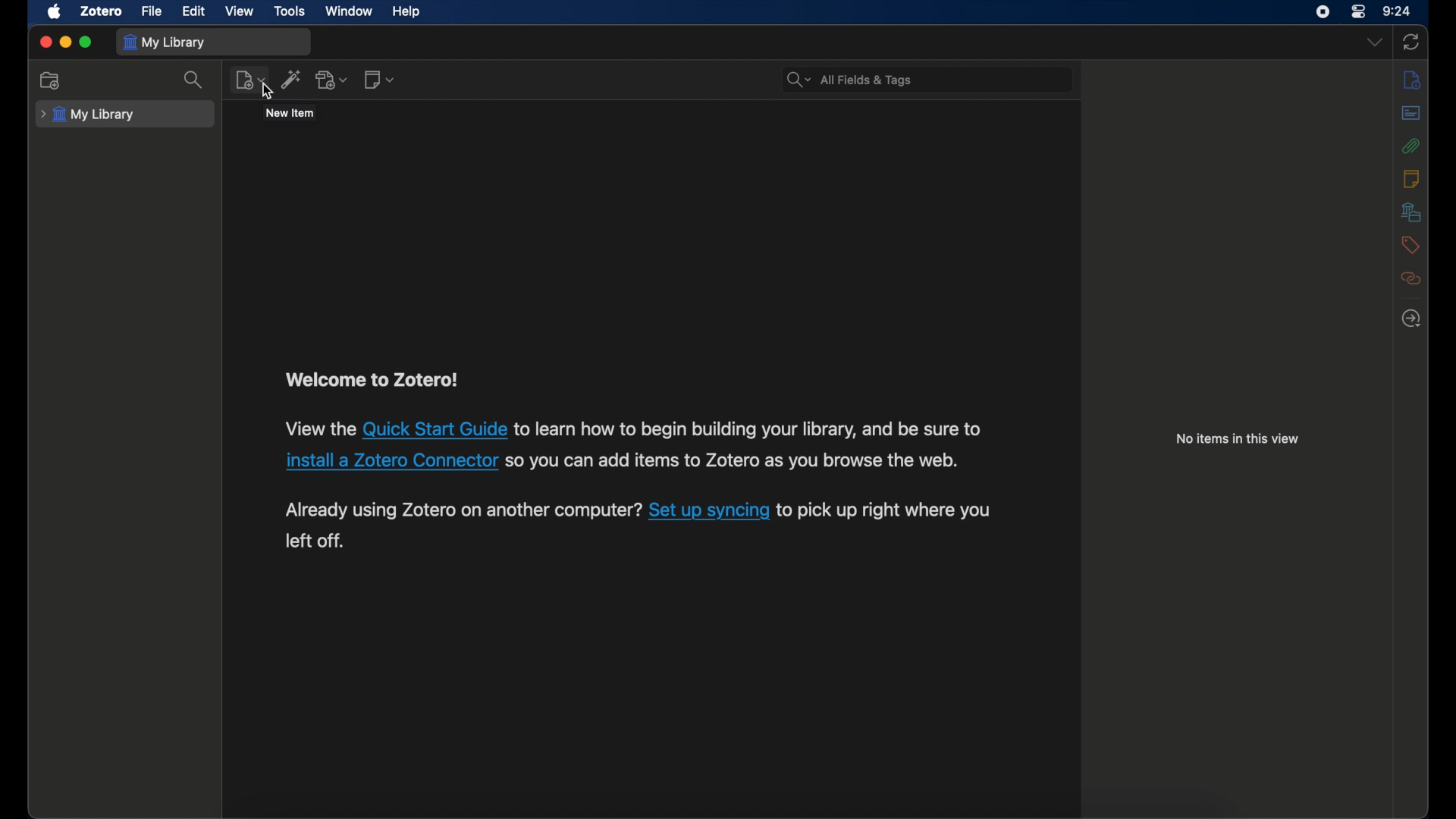 The width and height of the screenshot is (1456, 819). I want to click on related, so click(1411, 278).